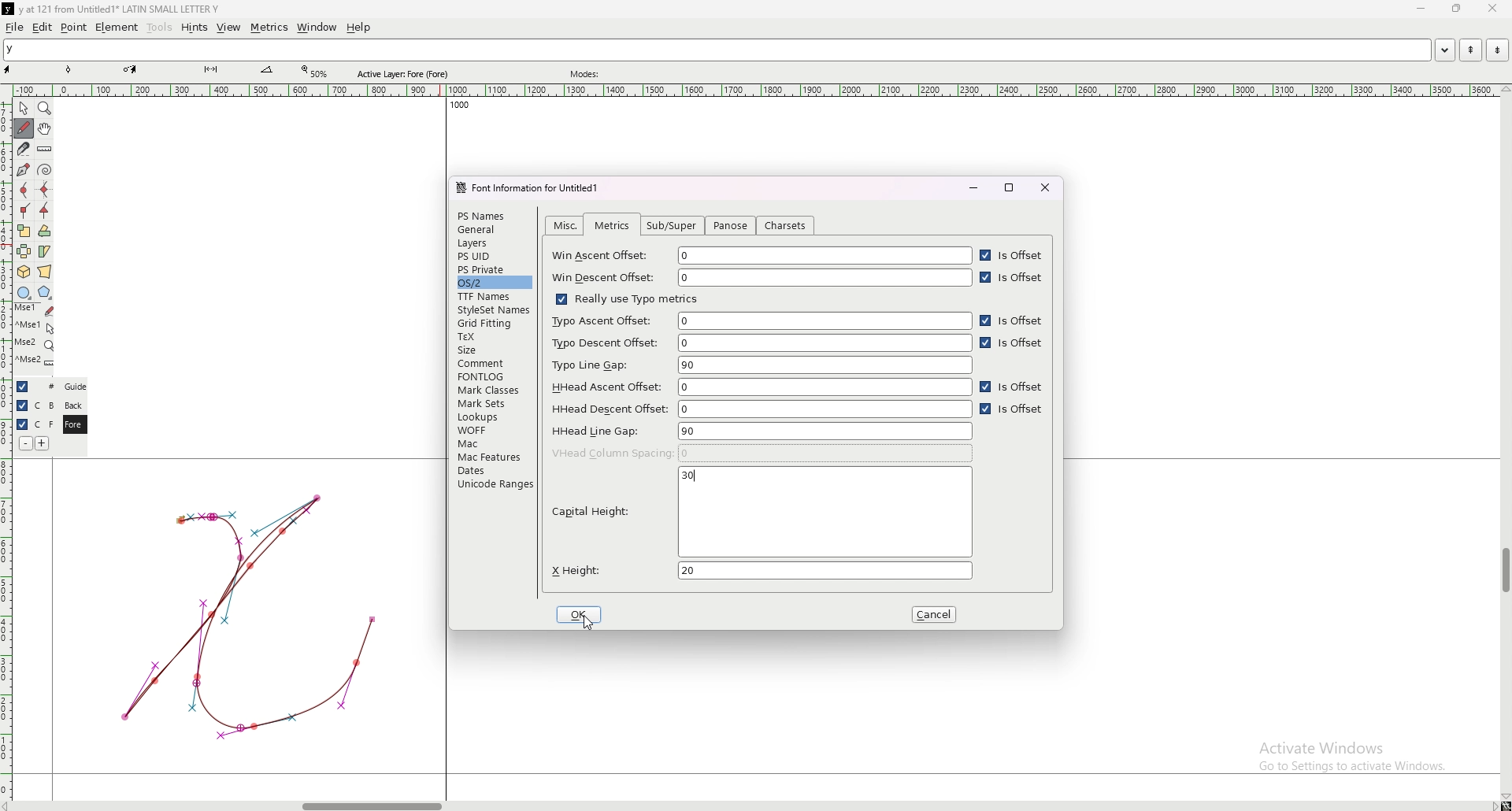 This screenshot has height=811, width=1512. What do you see at coordinates (45, 211) in the screenshot?
I see `add a tangent point` at bounding box center [45, 211].